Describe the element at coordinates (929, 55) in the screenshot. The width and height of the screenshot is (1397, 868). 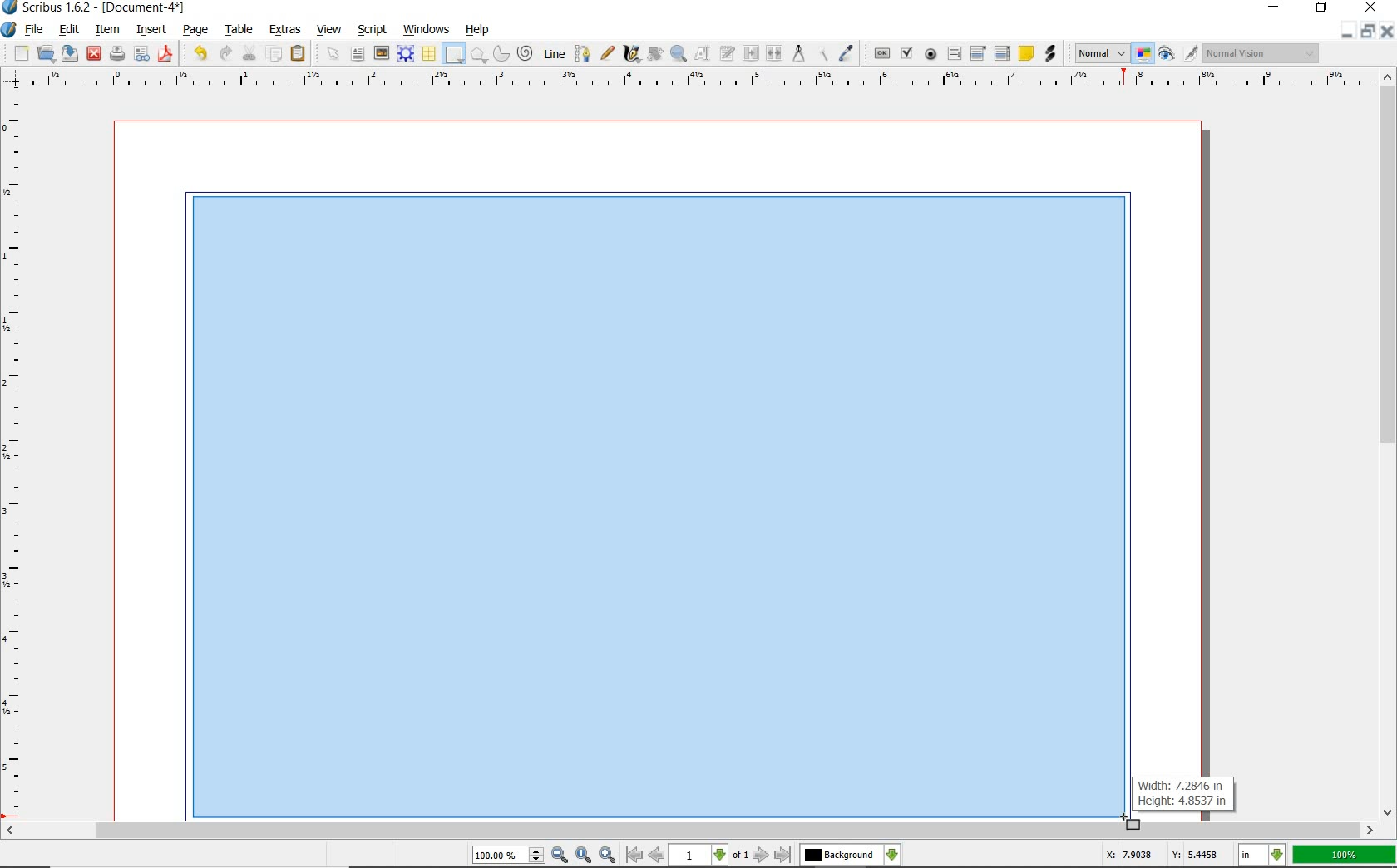
I see `pdf radio button` at that location.